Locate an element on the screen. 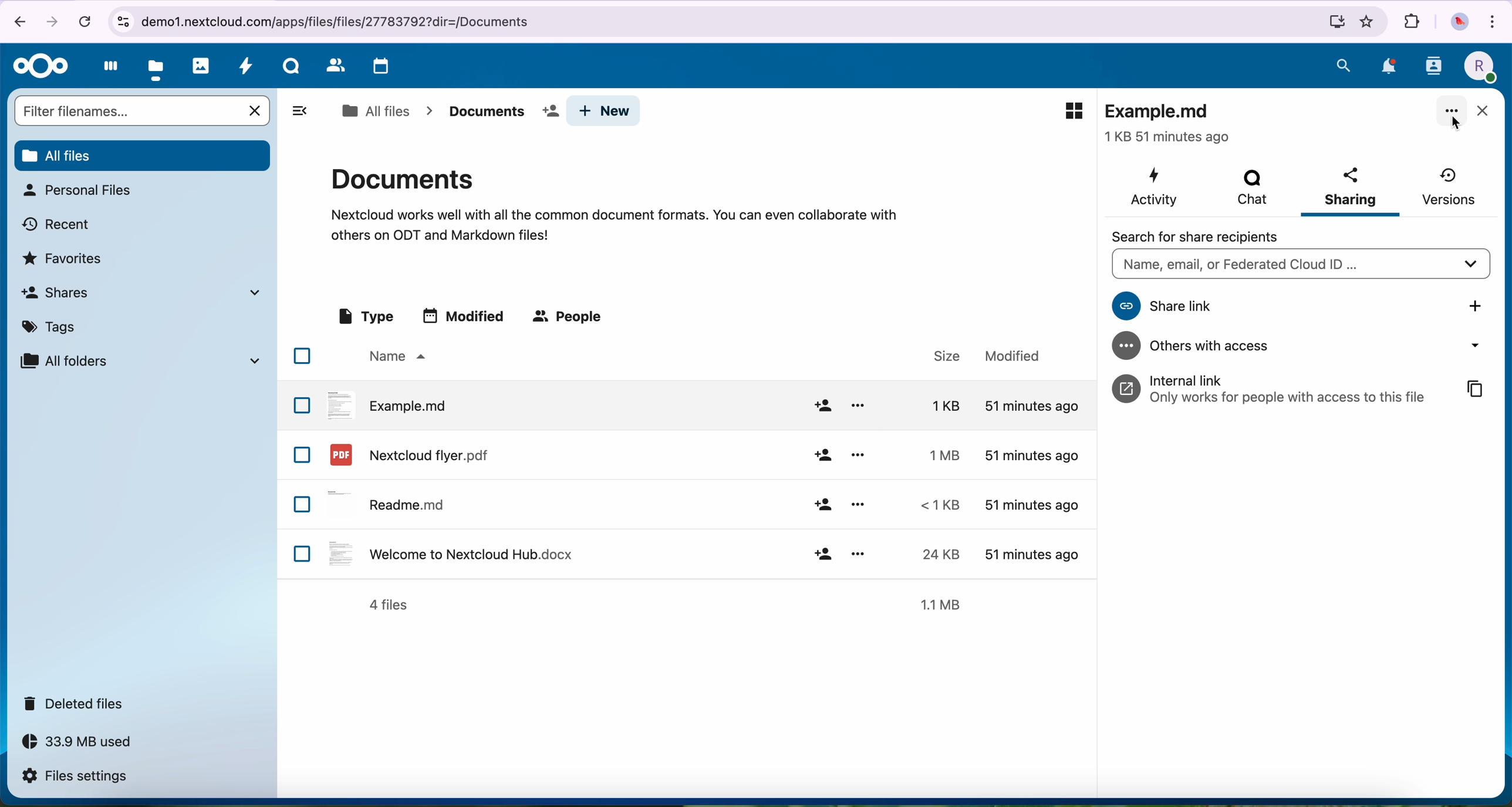 The width and height of the screenshot is (1512, 807). versions is located at coordinates (1449, 187).